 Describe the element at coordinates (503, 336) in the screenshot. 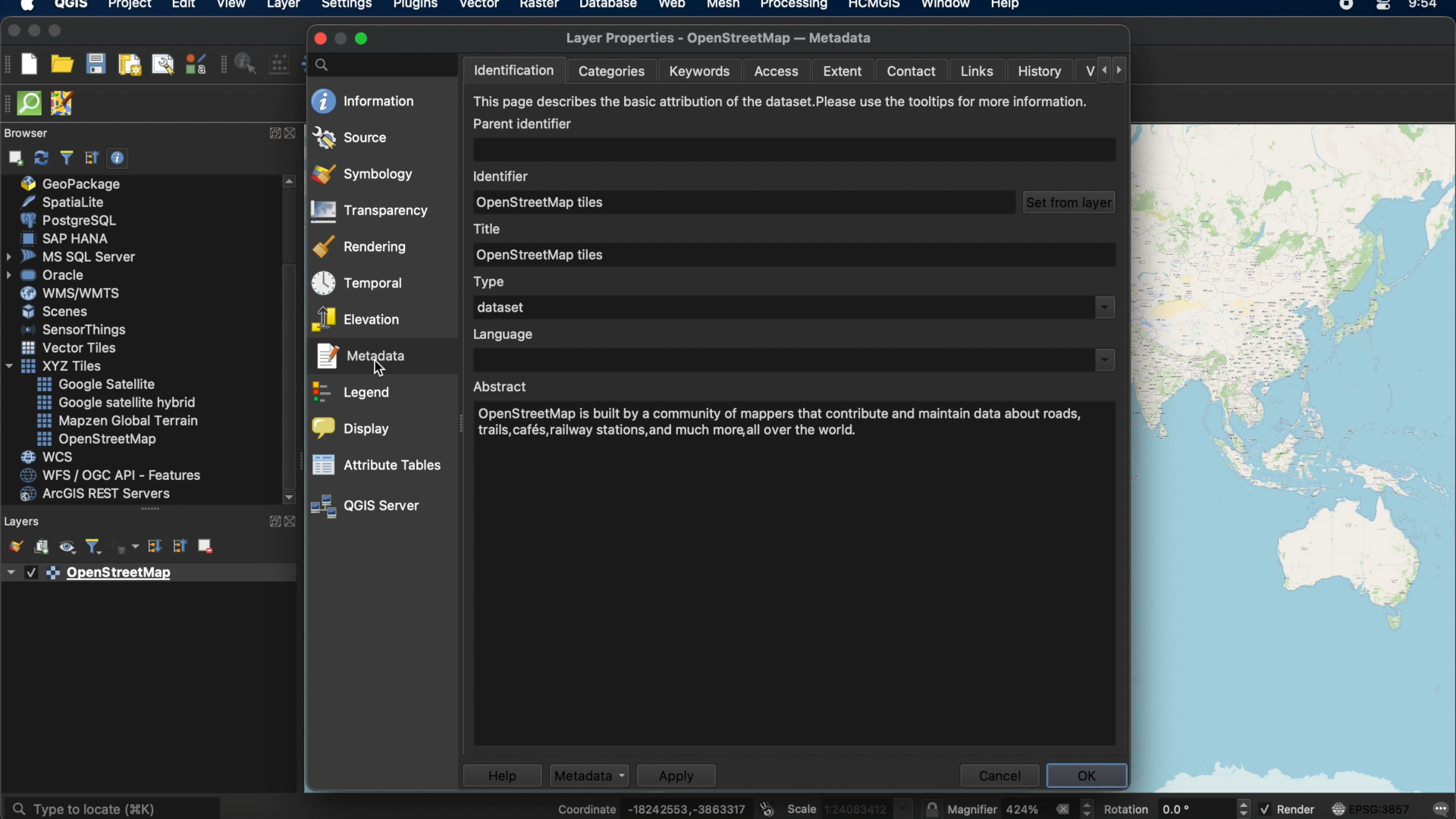

I see `language` at that location.